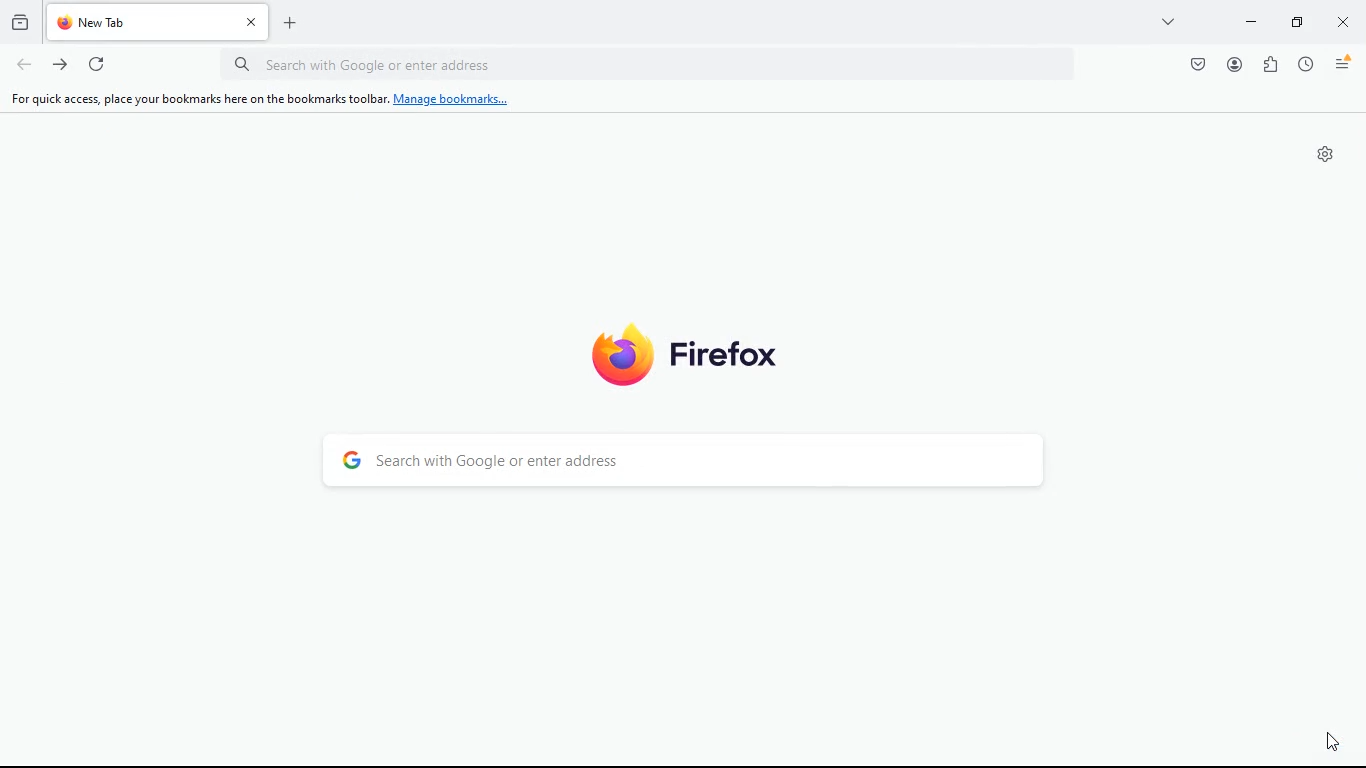  What do you see at coordinates (1344, 64) in the screenshot?
I see `menu` at bounding box center [1344, 64].